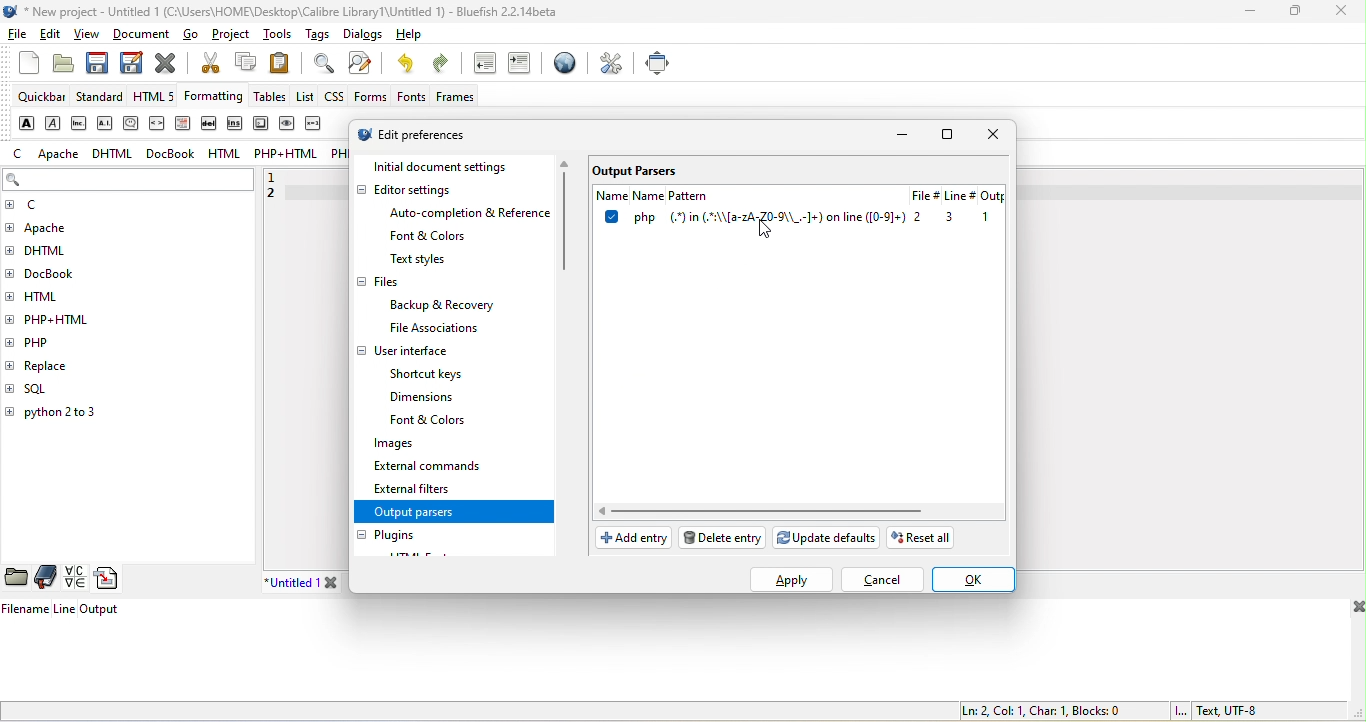  Describe the element at coordinates (948, 137) in the screenshot. I see `maximize` at that location.